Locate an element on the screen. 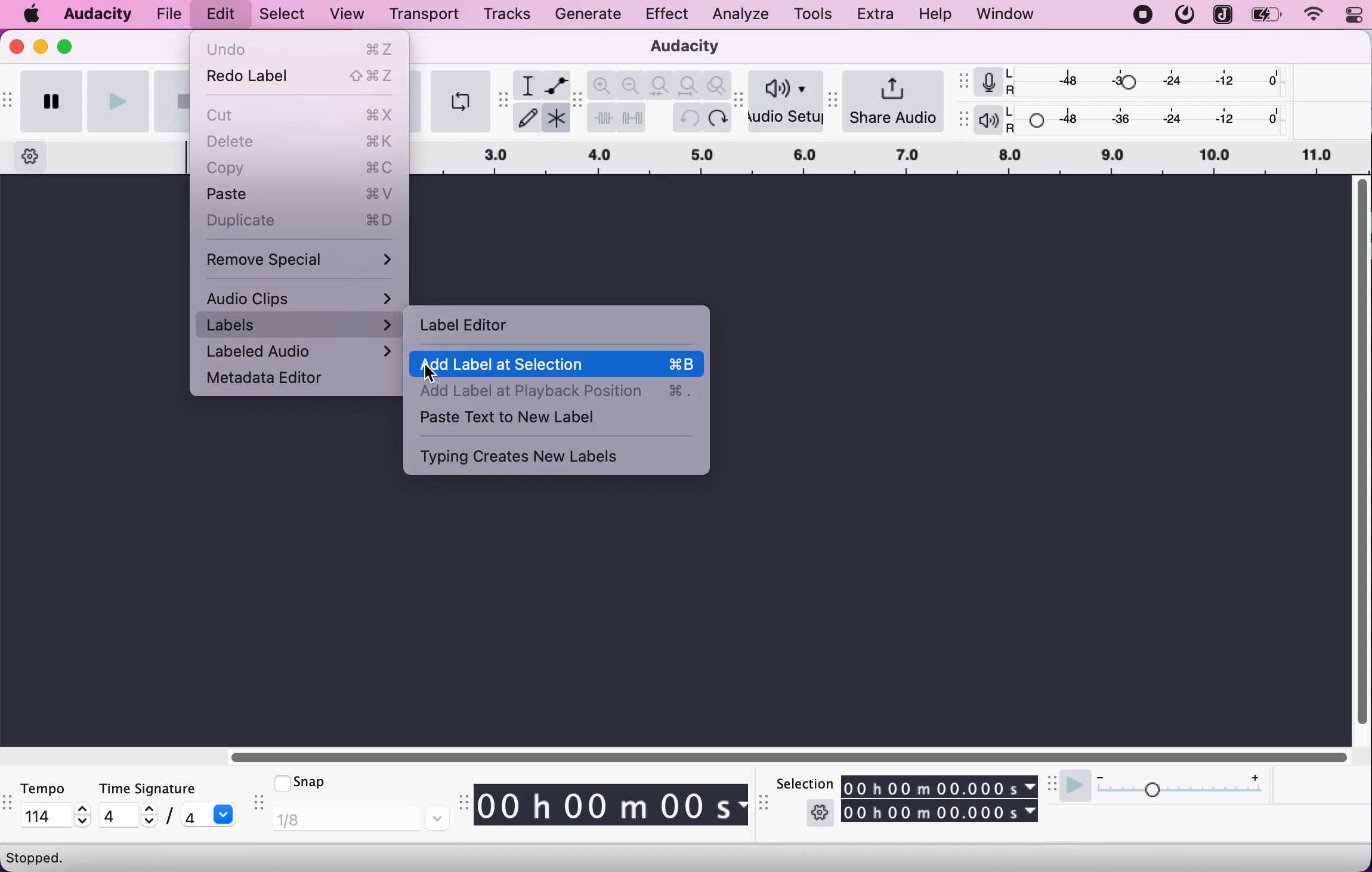 The height and width of the screenshot is (872, 1372). mac logo is located at coordinates (33, 15).